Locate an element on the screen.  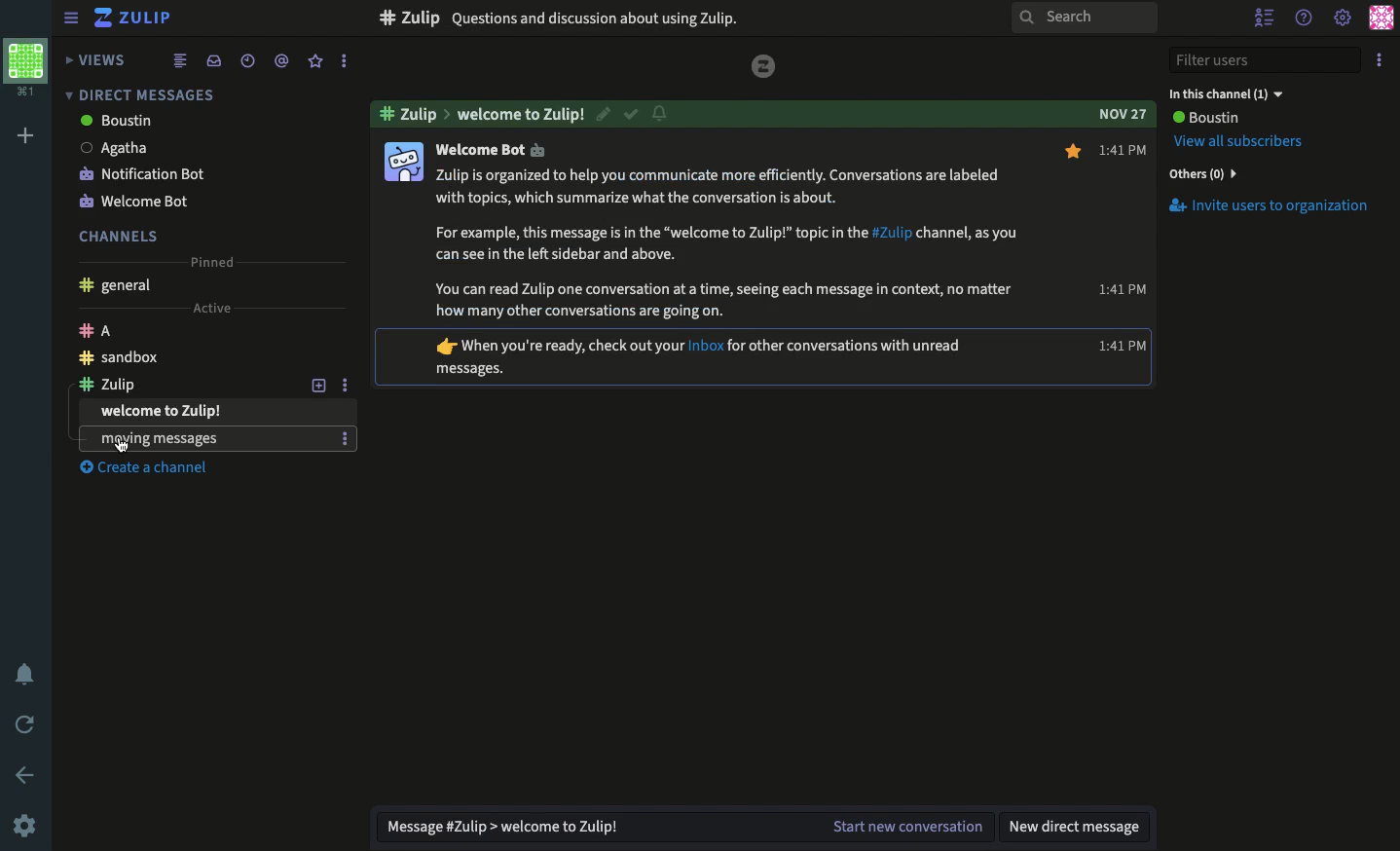
Start the conversation is located at coordinates (904, 828).